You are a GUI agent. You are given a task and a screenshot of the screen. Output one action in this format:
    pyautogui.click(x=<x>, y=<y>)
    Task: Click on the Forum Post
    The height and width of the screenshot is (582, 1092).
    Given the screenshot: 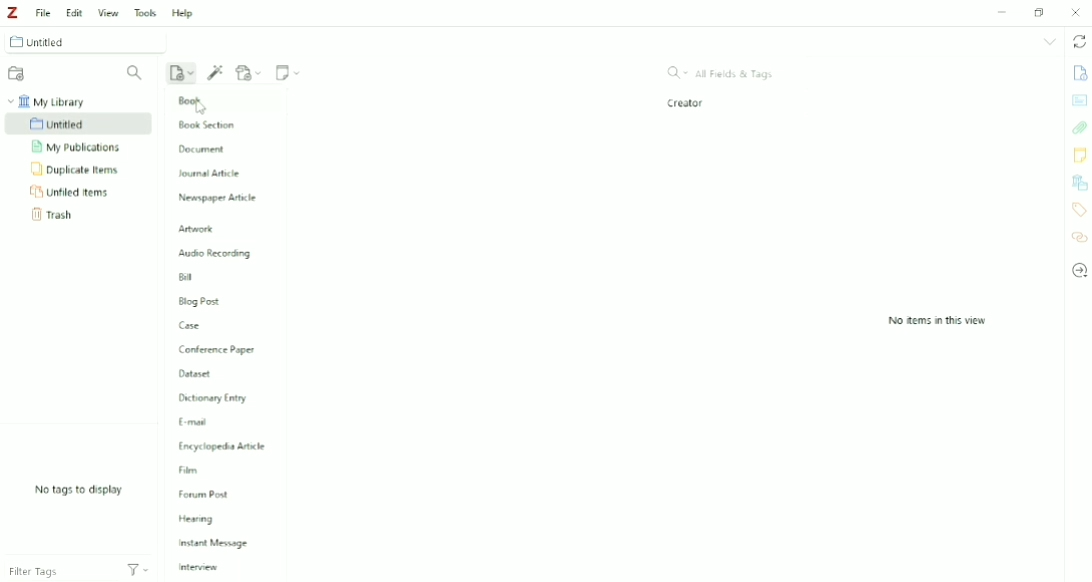 What is the action you would take?
    pyautogui.click(x=203, y=495)
    